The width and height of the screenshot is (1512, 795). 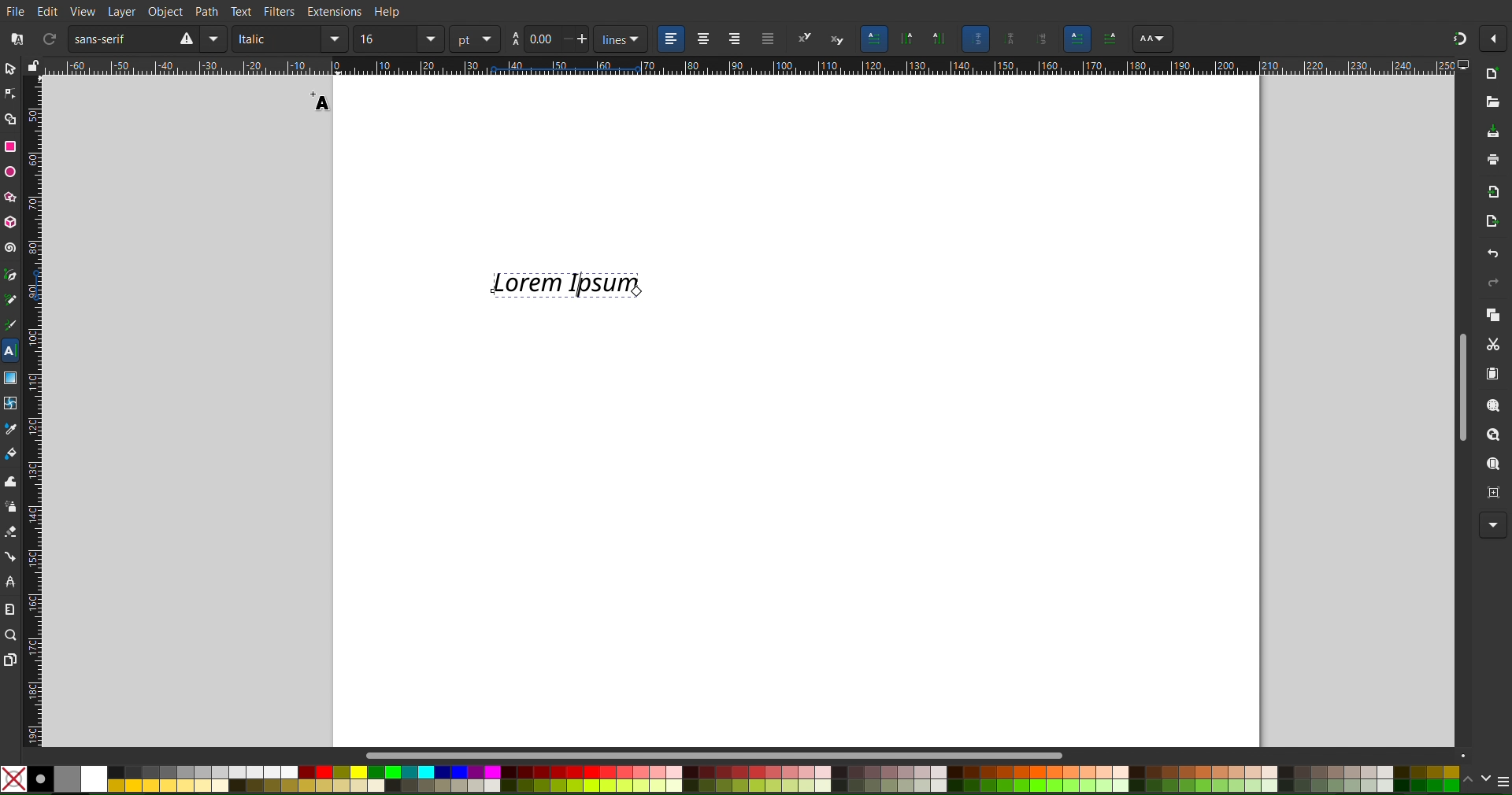 I want to click on Alignment, so click(x=720, y=39).